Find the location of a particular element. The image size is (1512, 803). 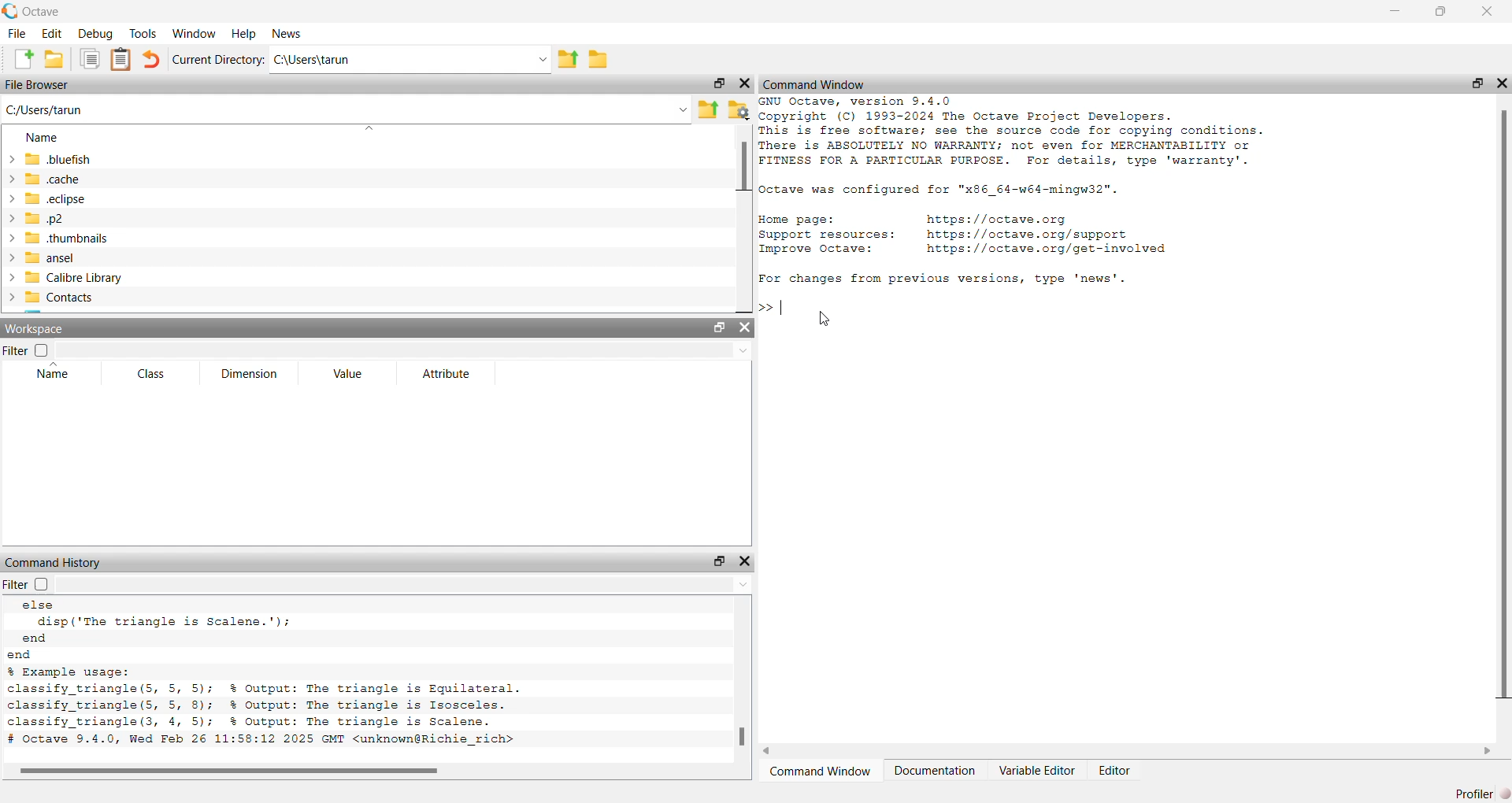

file browser is located at coordinates (39, 86).